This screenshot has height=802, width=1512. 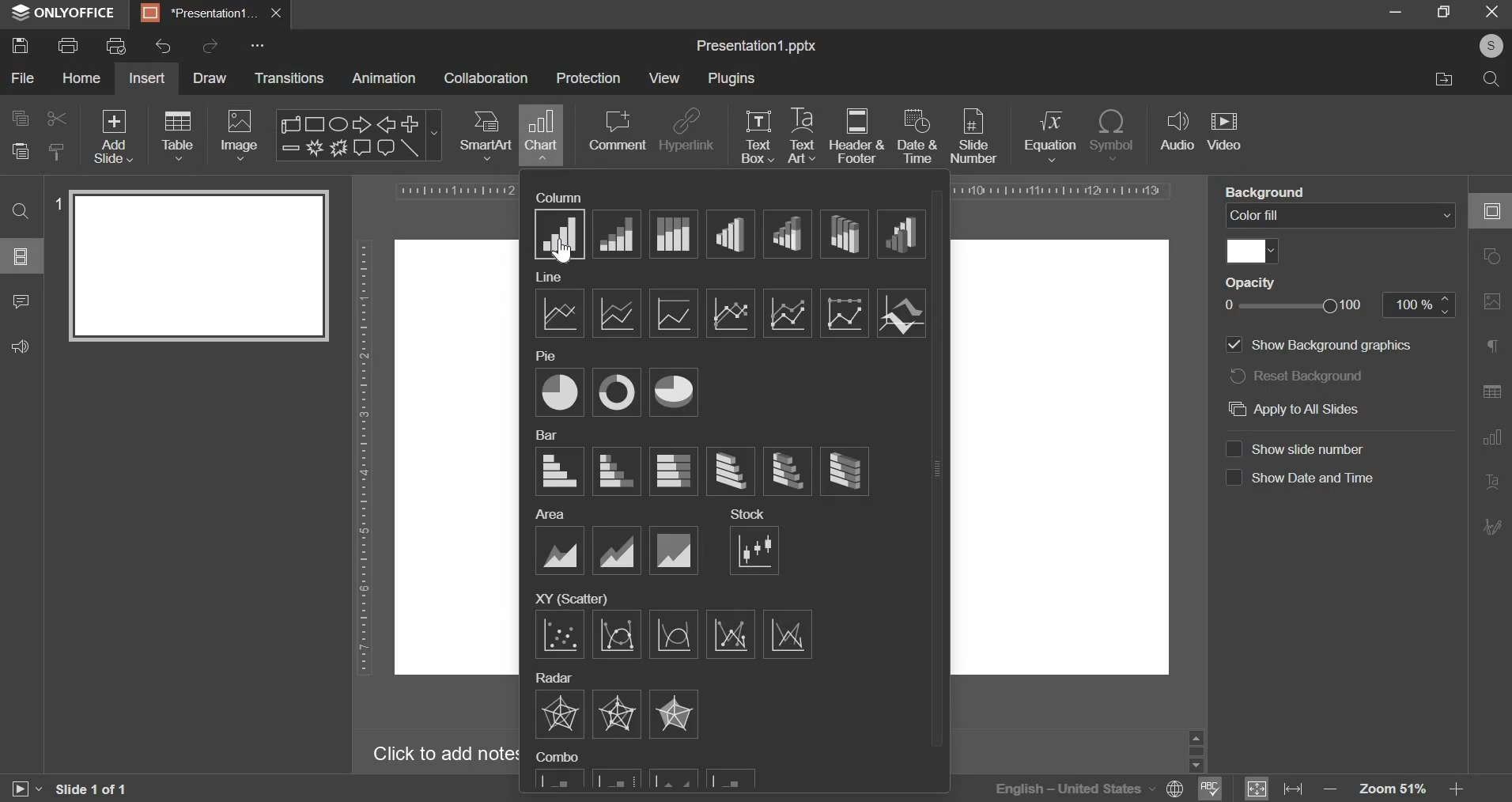 What do you see at coordinates (164, 47) in the screenshot?
I see `undo` at bounding box center [164, 47].